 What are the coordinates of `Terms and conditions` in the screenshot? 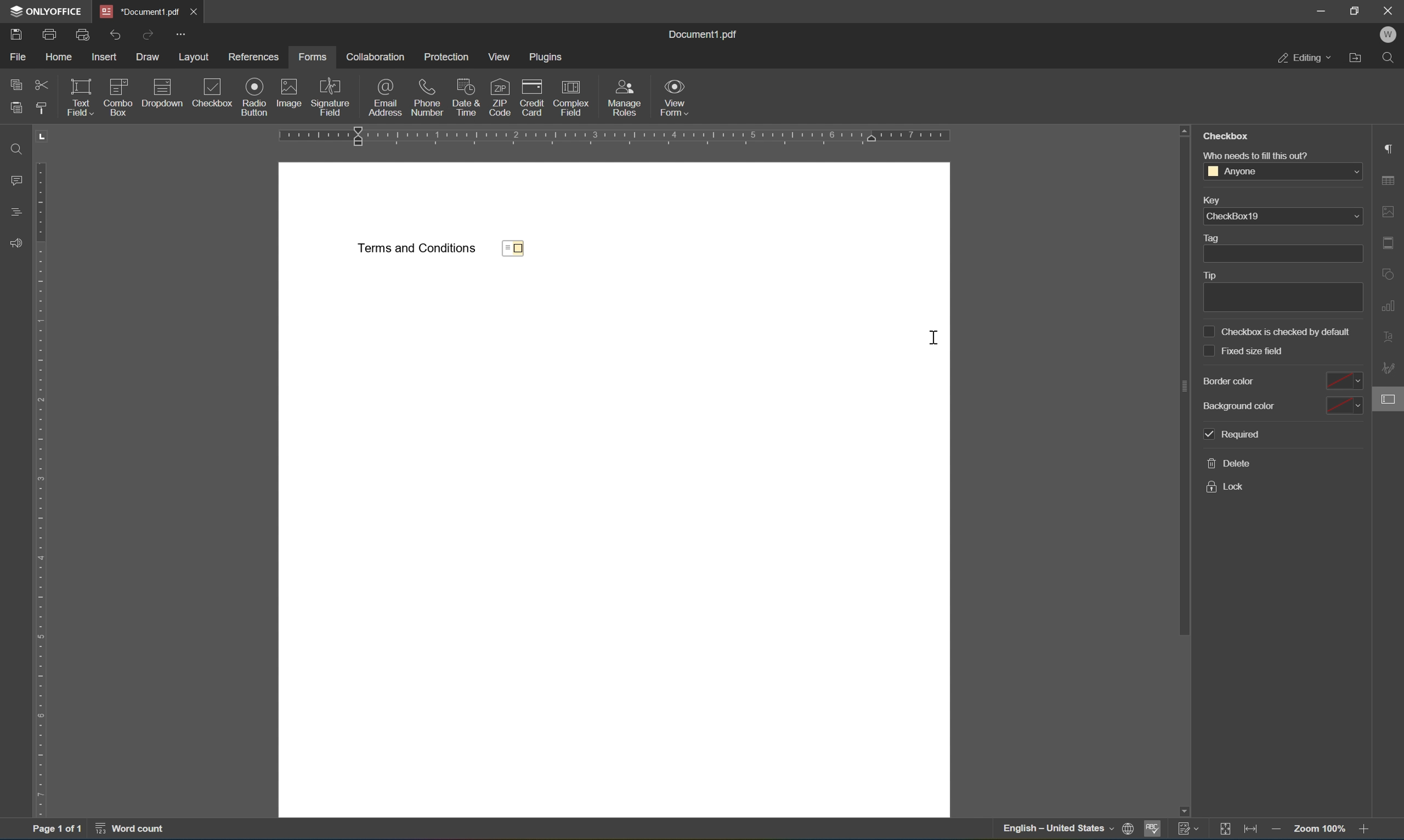 It's located at (417, 248).